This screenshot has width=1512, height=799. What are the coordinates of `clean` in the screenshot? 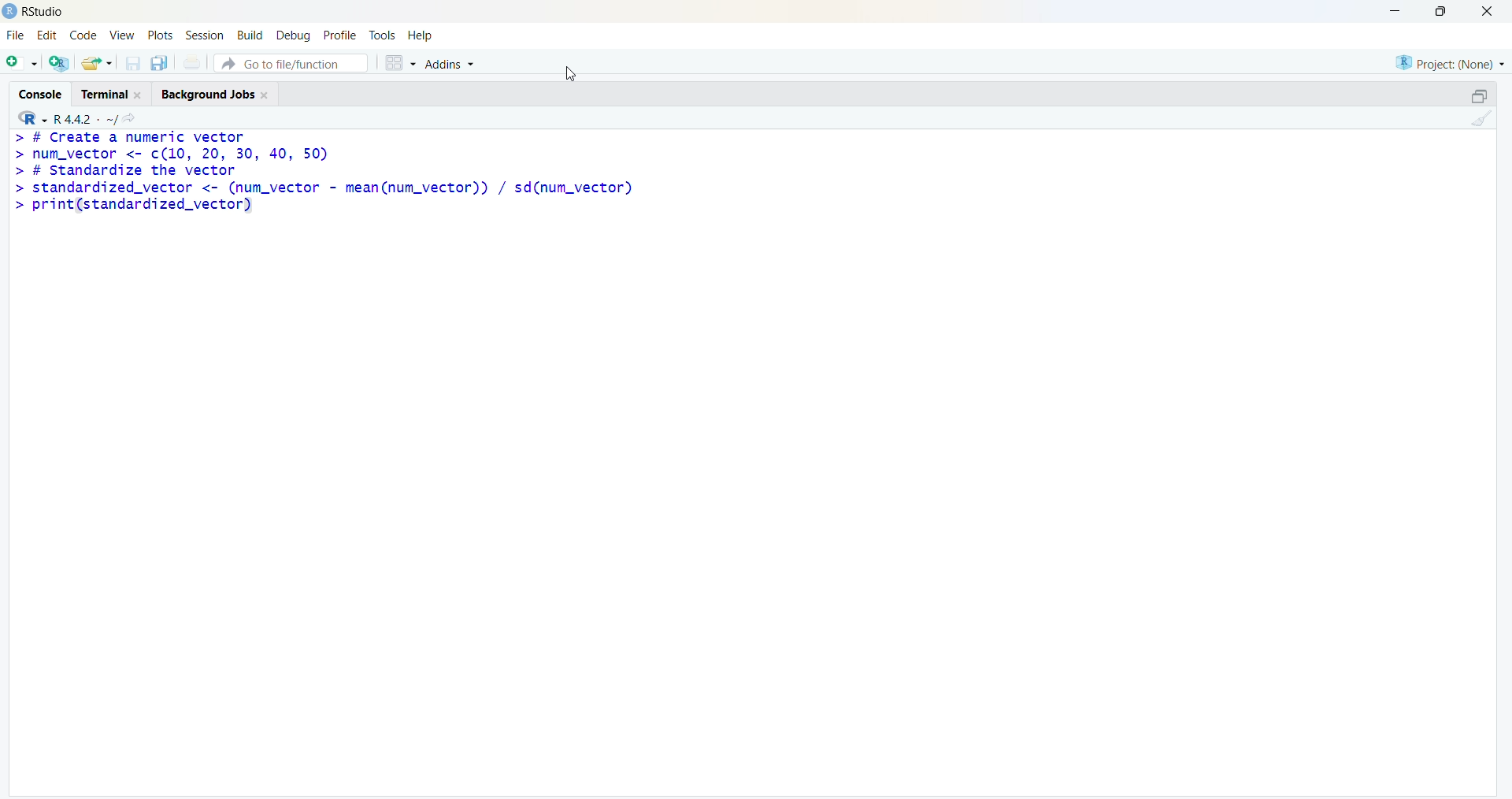 It's located at (1482, 118).